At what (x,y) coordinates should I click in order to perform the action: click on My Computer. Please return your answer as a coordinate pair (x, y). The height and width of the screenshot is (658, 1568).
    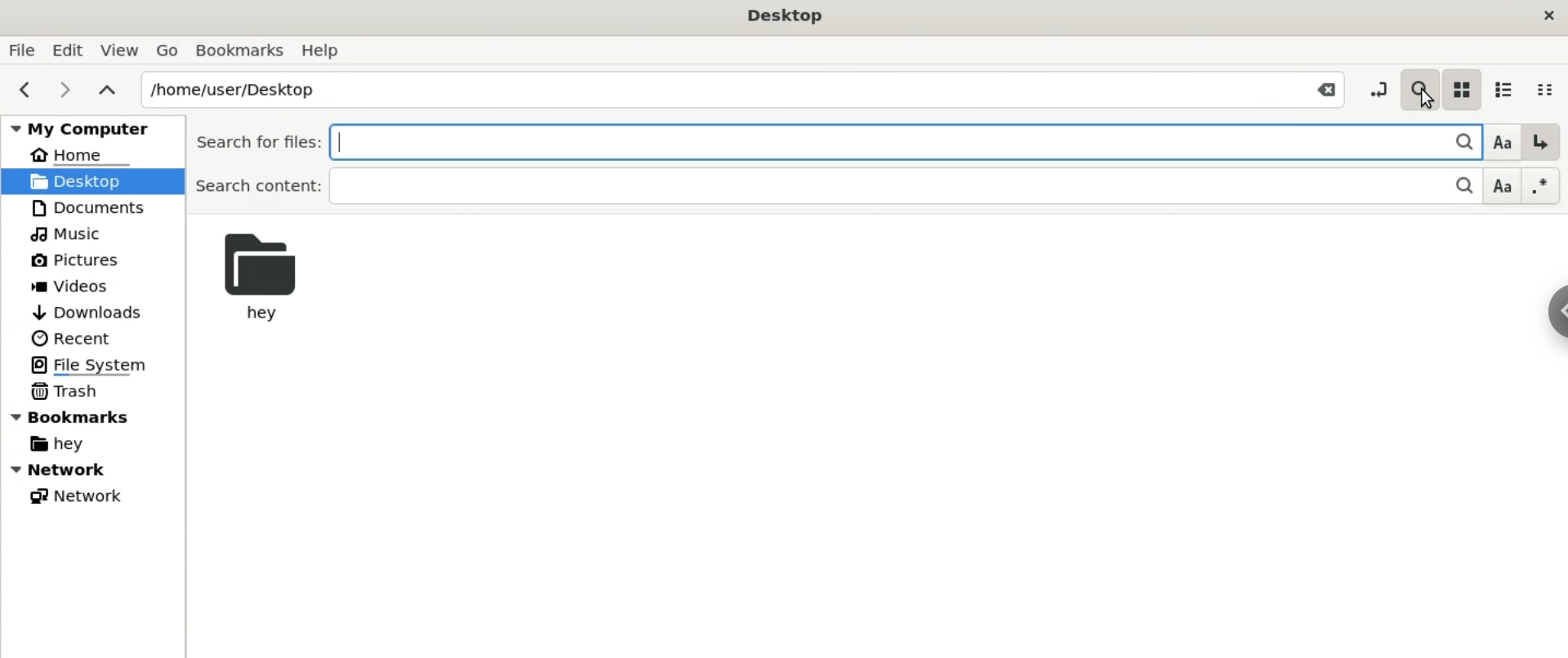
    Looking at the image, I should click on (90, 128).